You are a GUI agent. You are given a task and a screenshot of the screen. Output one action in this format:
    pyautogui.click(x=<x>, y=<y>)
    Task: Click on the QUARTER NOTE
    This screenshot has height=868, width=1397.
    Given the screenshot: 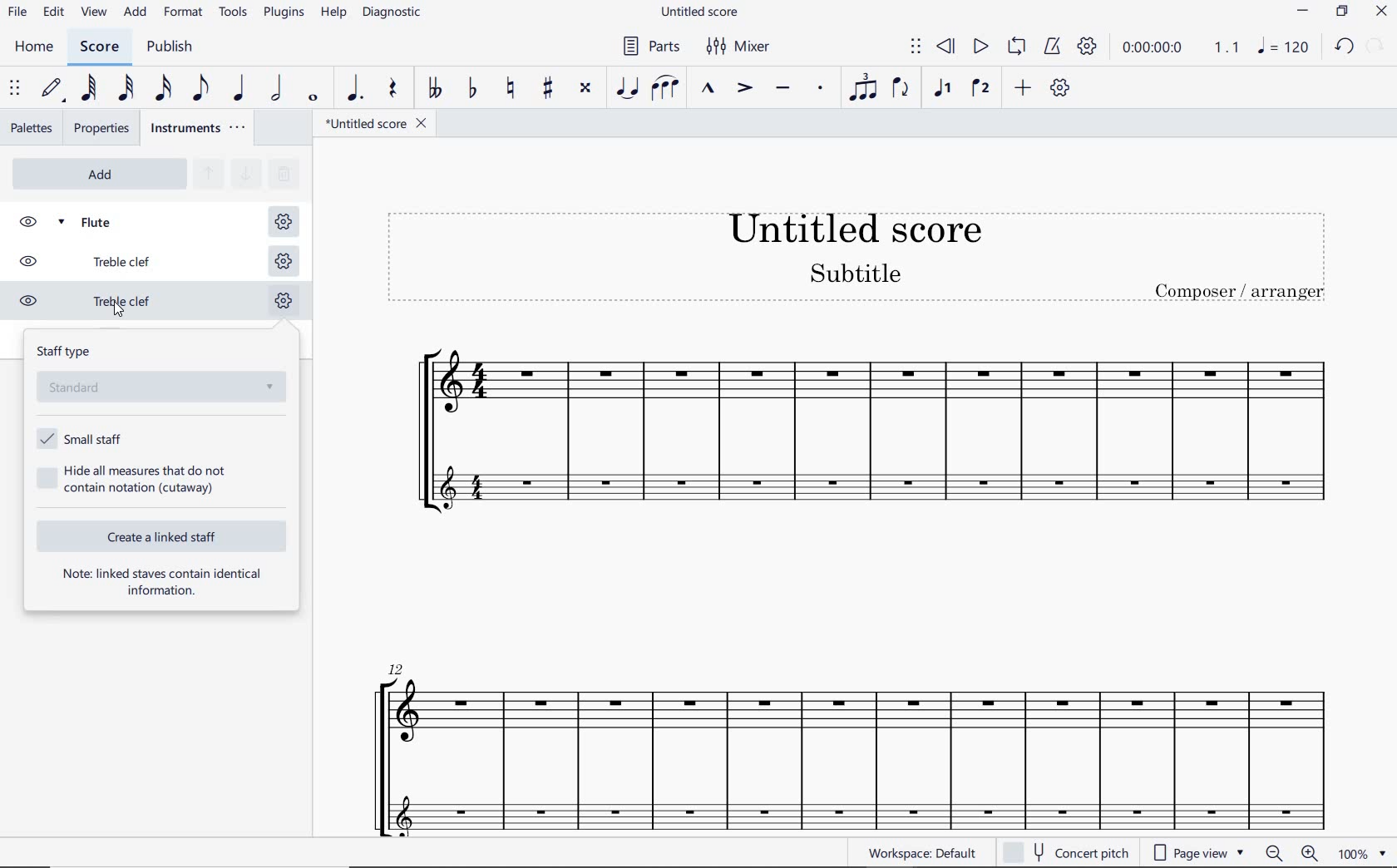 What is the action you would take?
    pyautogui.click(x=239, y=89)
    